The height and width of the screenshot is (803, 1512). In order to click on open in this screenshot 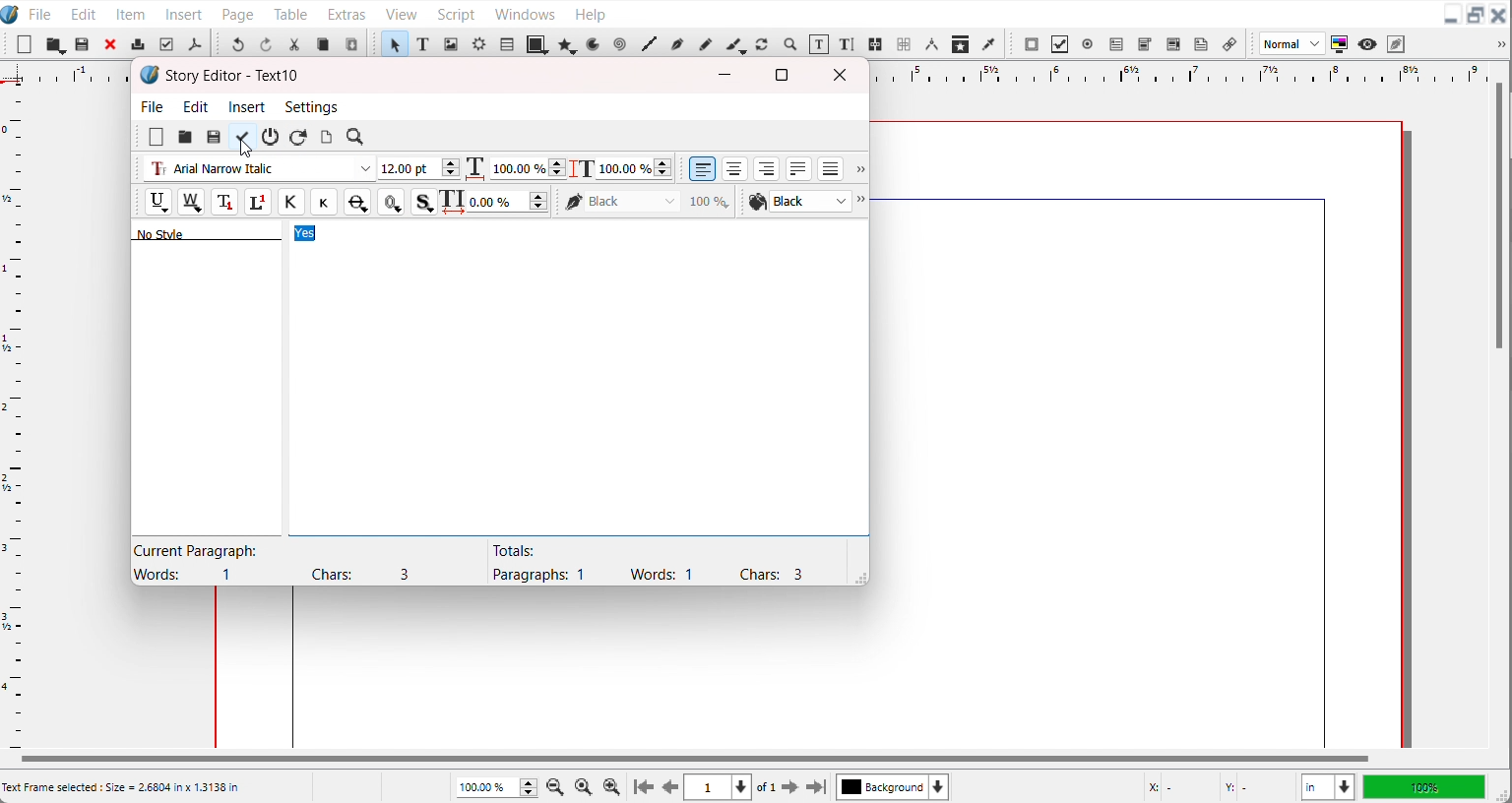, I will do `click(184, 138)`.